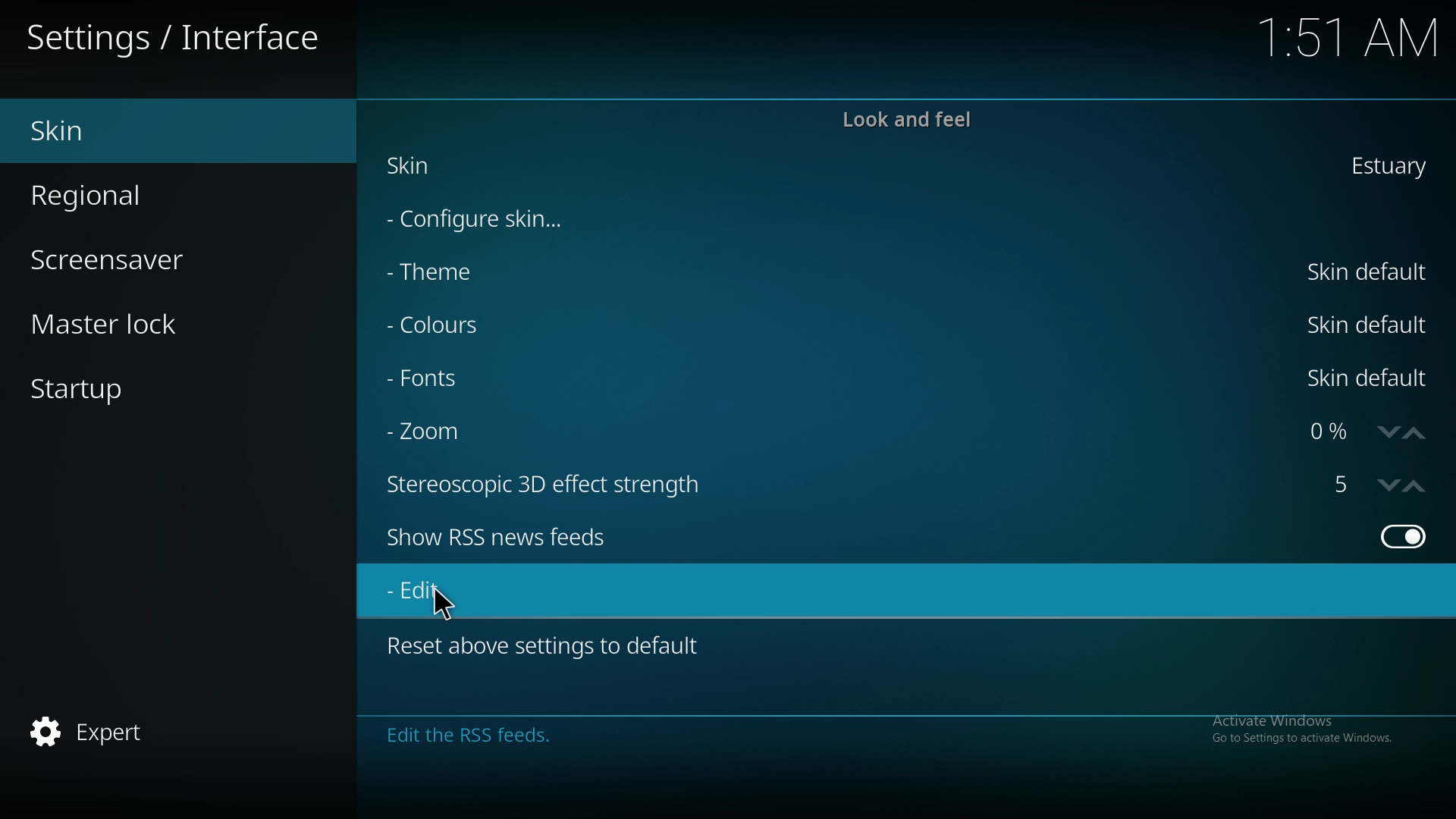 Image resolution: width=1456 pixels, height=819 pixels. What do you see at coordinates (103, 733) in the screenshot?
I see `expert` at bounding box center [103, 733].